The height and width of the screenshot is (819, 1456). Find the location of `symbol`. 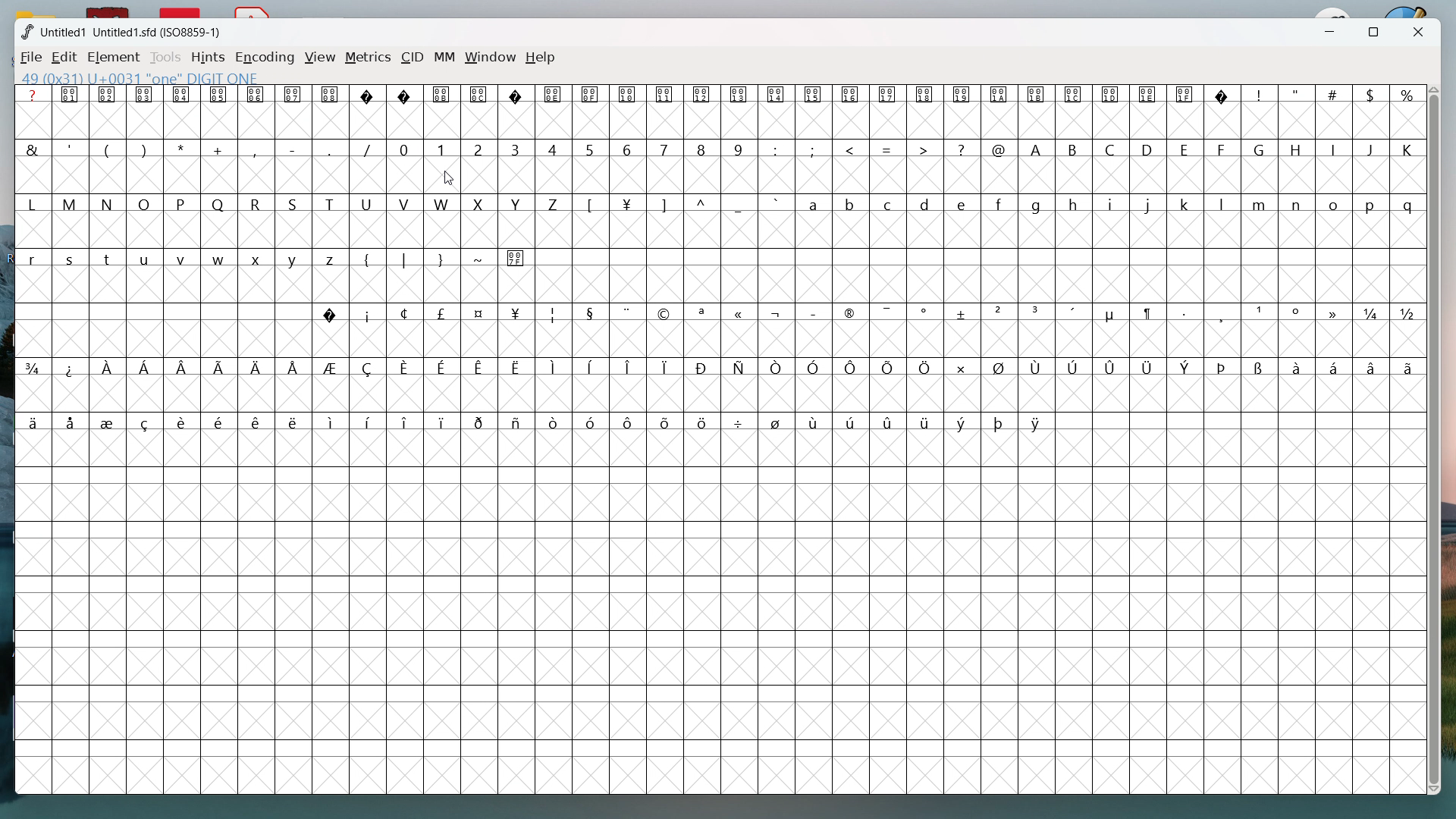

symbol is located at coordinates (851, 313).